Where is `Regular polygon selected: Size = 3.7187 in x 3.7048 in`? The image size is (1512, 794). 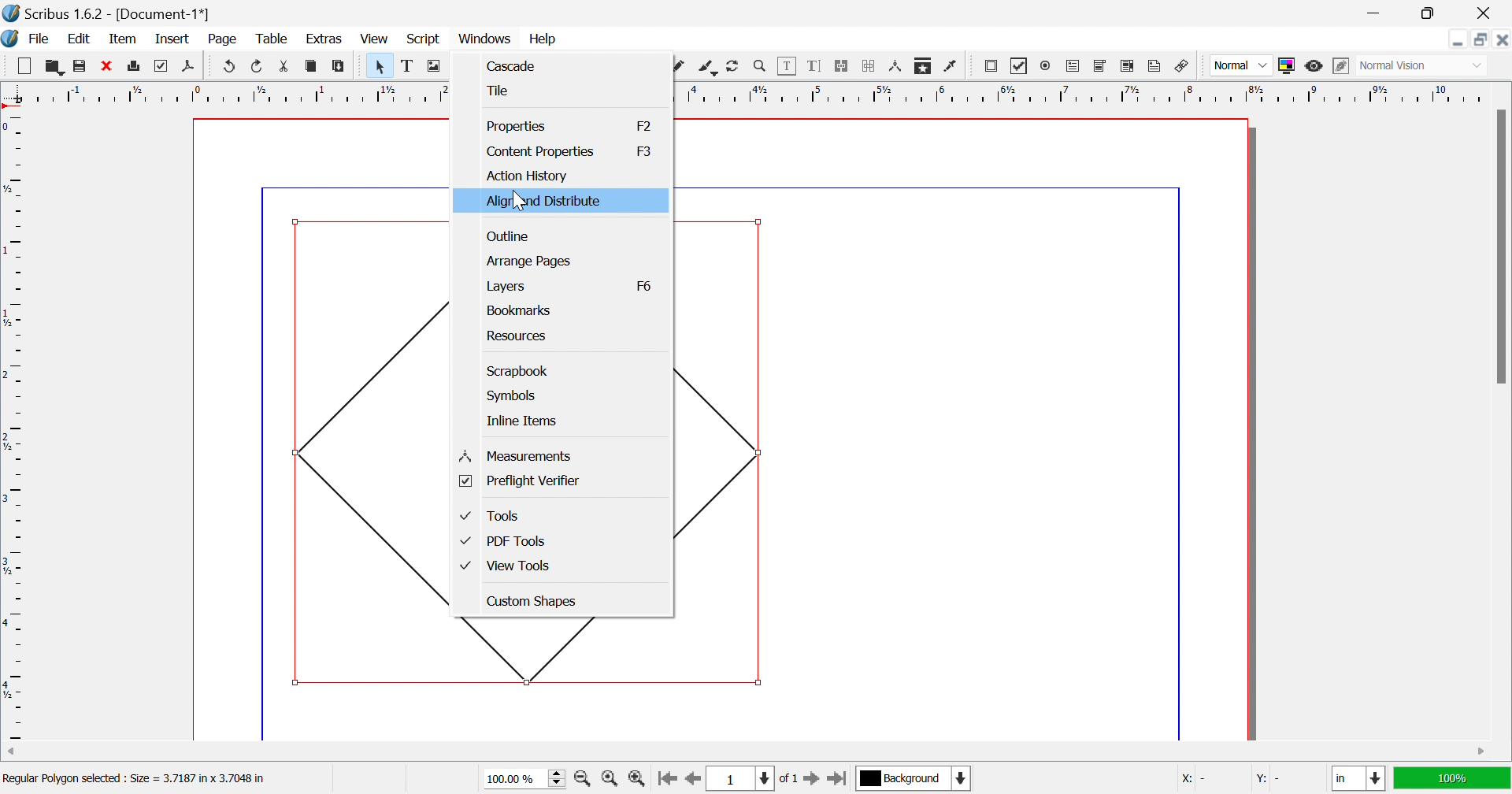 Regular polygon selected: Size = 3.7187 in x 3.7048 in is located at coordinates (134, 781).